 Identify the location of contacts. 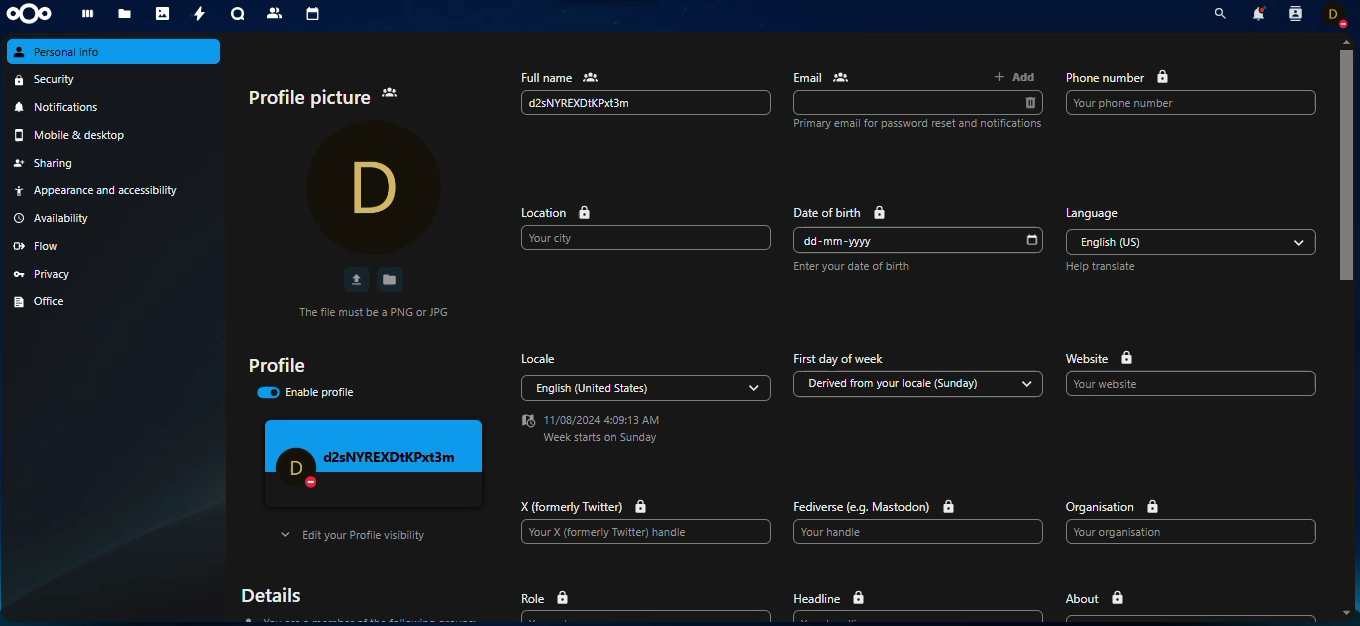
(274, 15).